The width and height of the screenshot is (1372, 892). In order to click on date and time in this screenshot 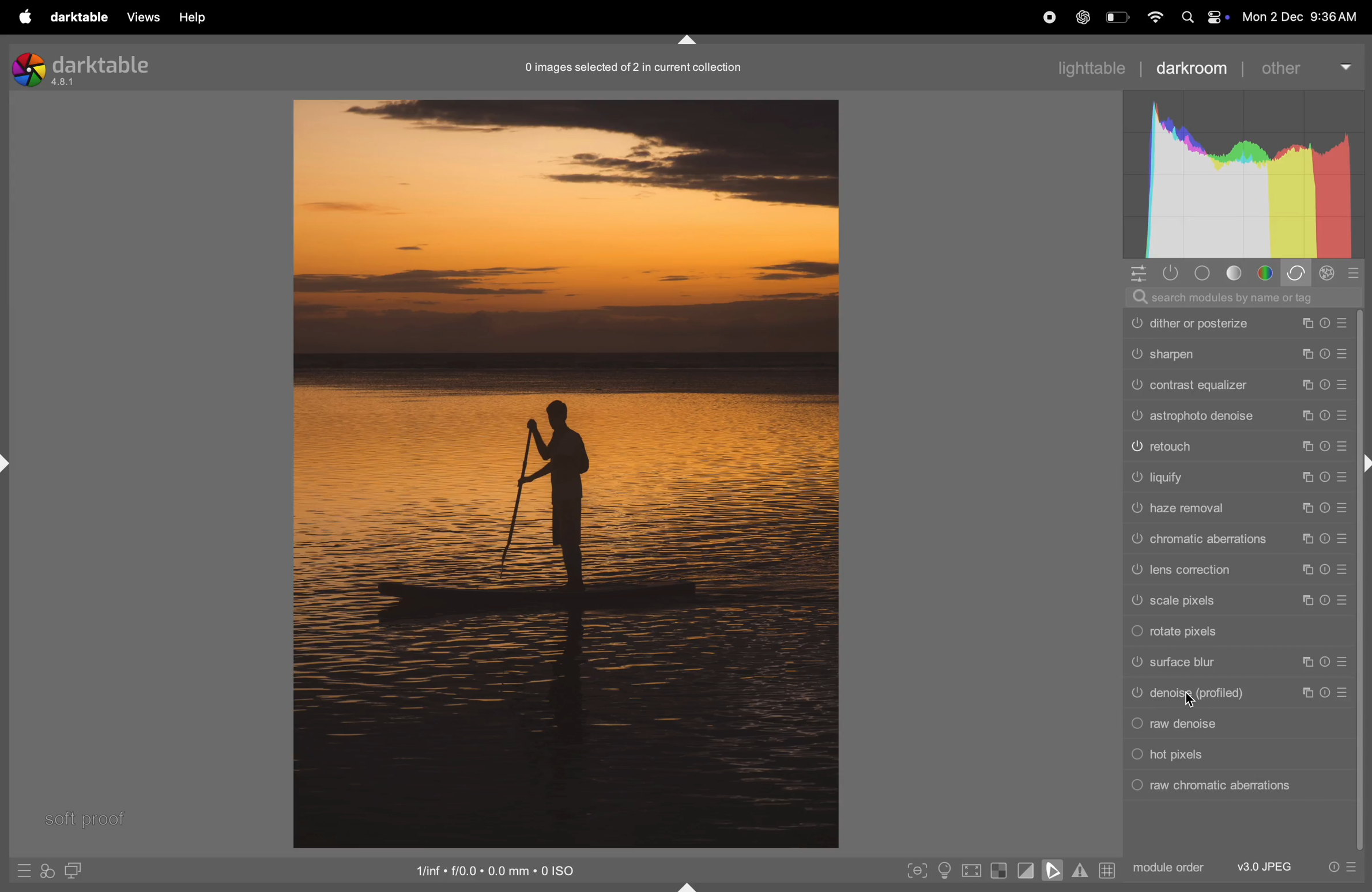, I will do `click(1304, 17)`.